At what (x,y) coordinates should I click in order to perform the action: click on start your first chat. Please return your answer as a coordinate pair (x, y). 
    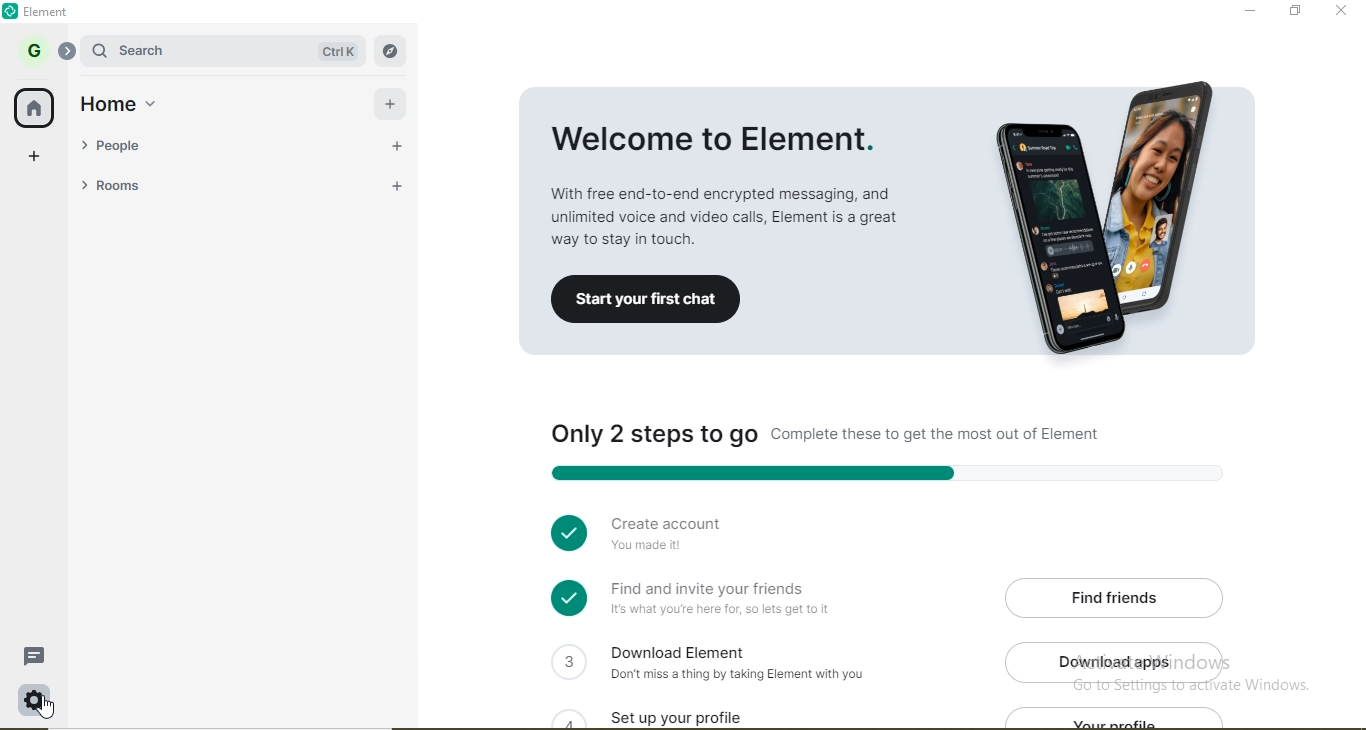
    Looking at the image, I should click on (645, 301).